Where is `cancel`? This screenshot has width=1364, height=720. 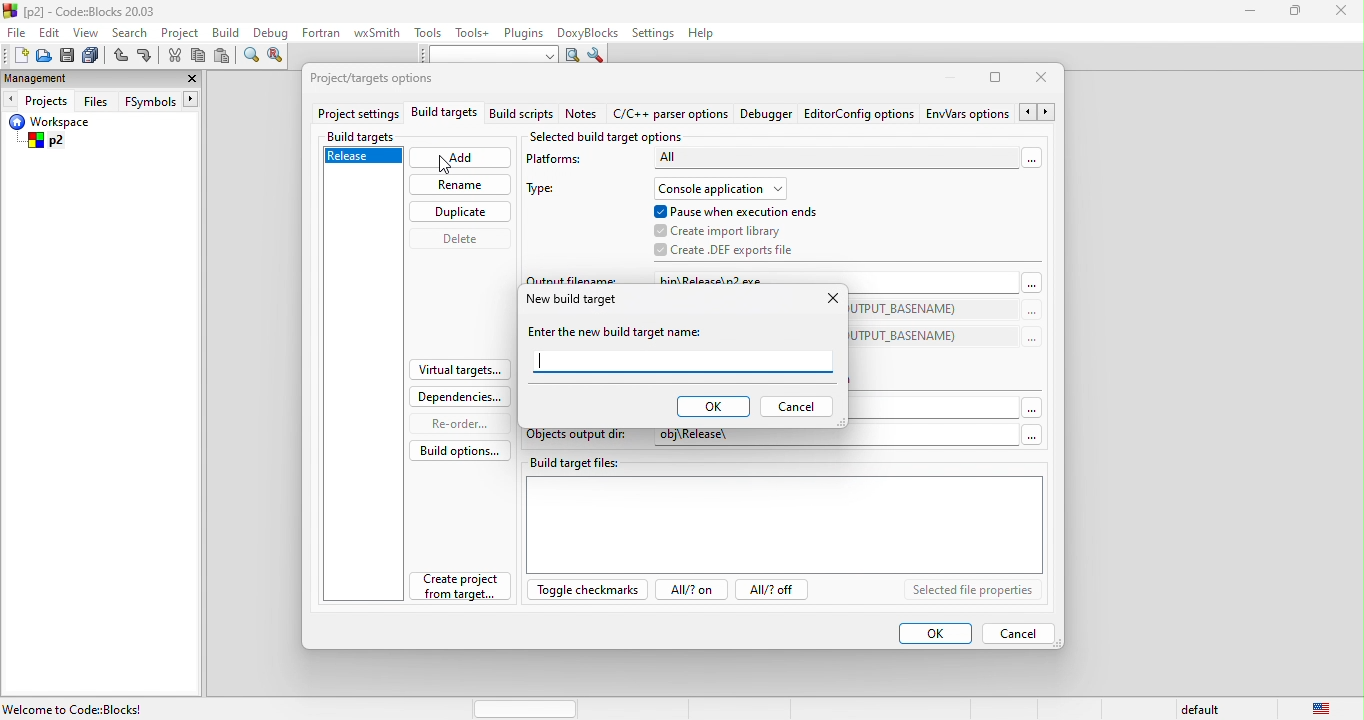 cancel is located at coordinates (798, 407).